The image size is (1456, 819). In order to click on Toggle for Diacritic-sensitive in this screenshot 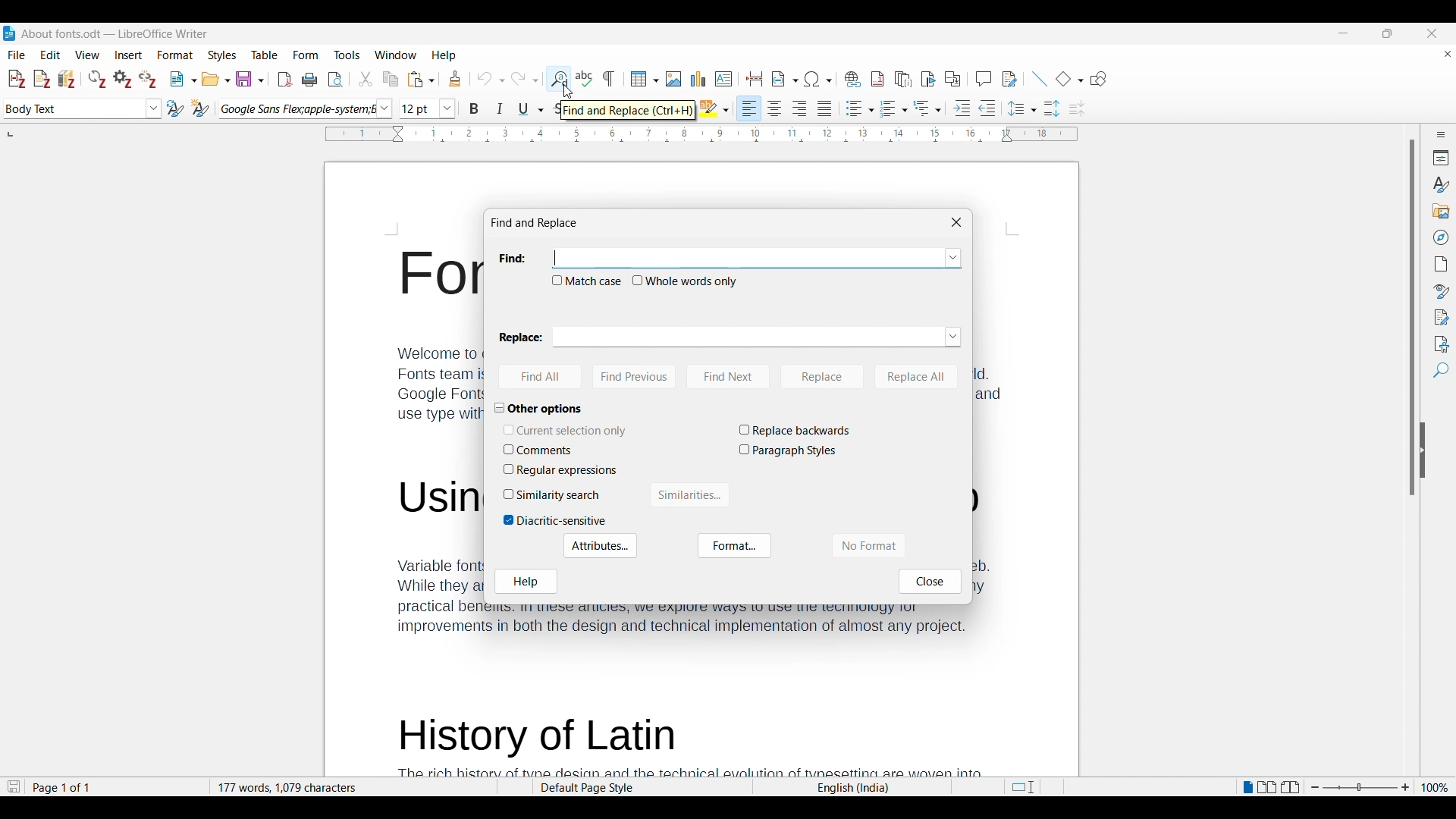, I will do `click(555, 521)`.